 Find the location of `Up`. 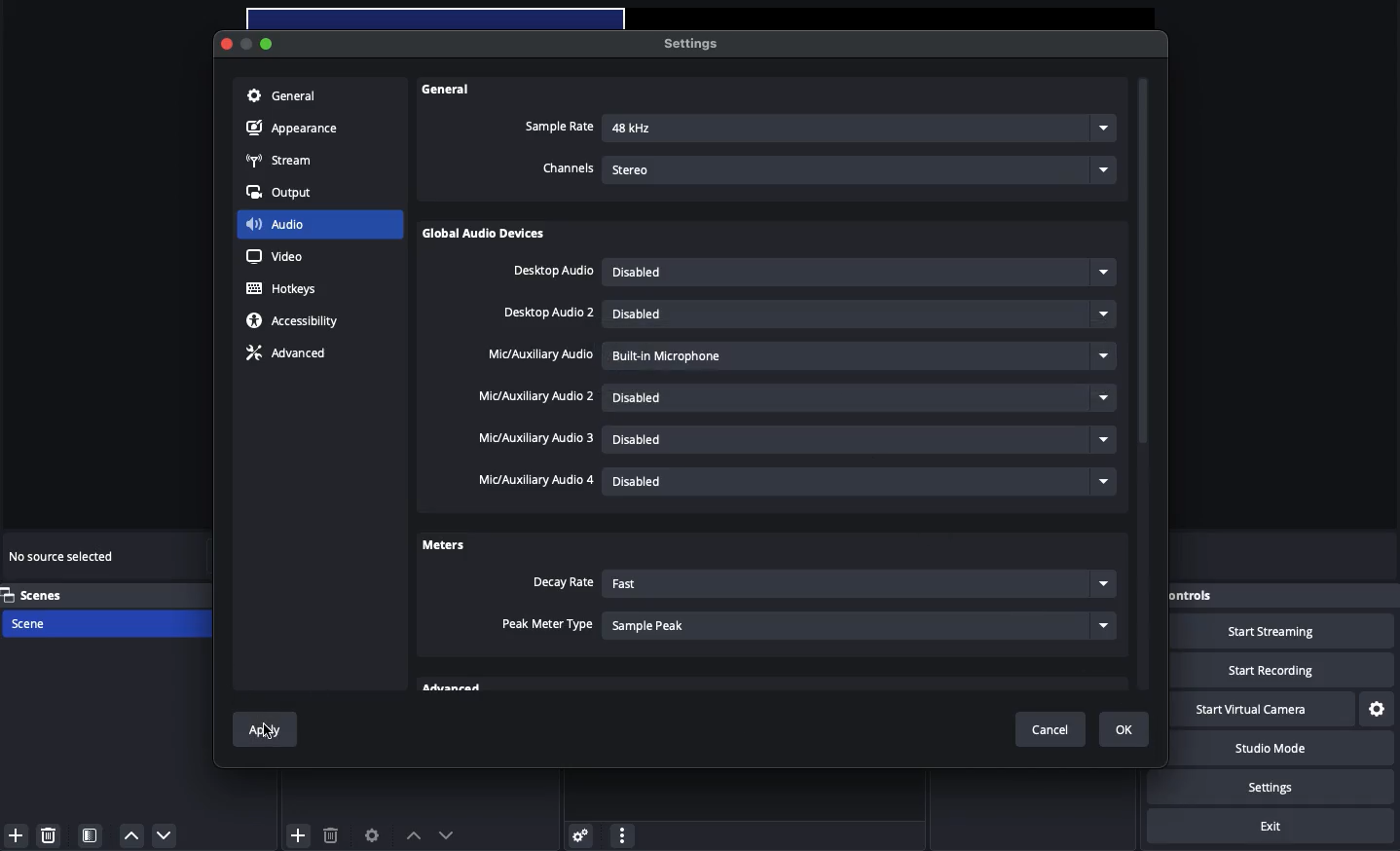

Up is located at coordinates (129, 835).